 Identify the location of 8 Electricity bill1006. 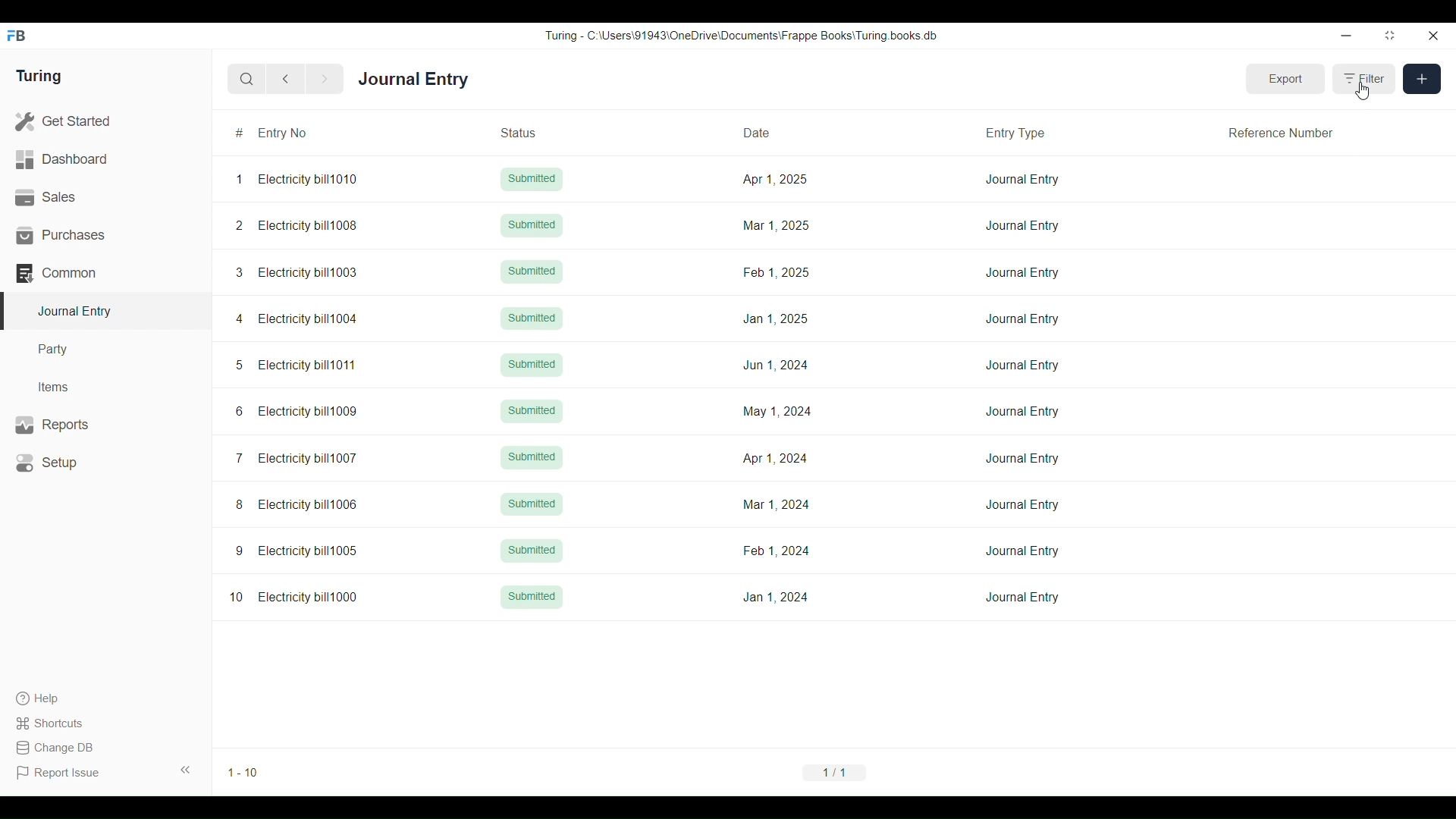
(297, 504).